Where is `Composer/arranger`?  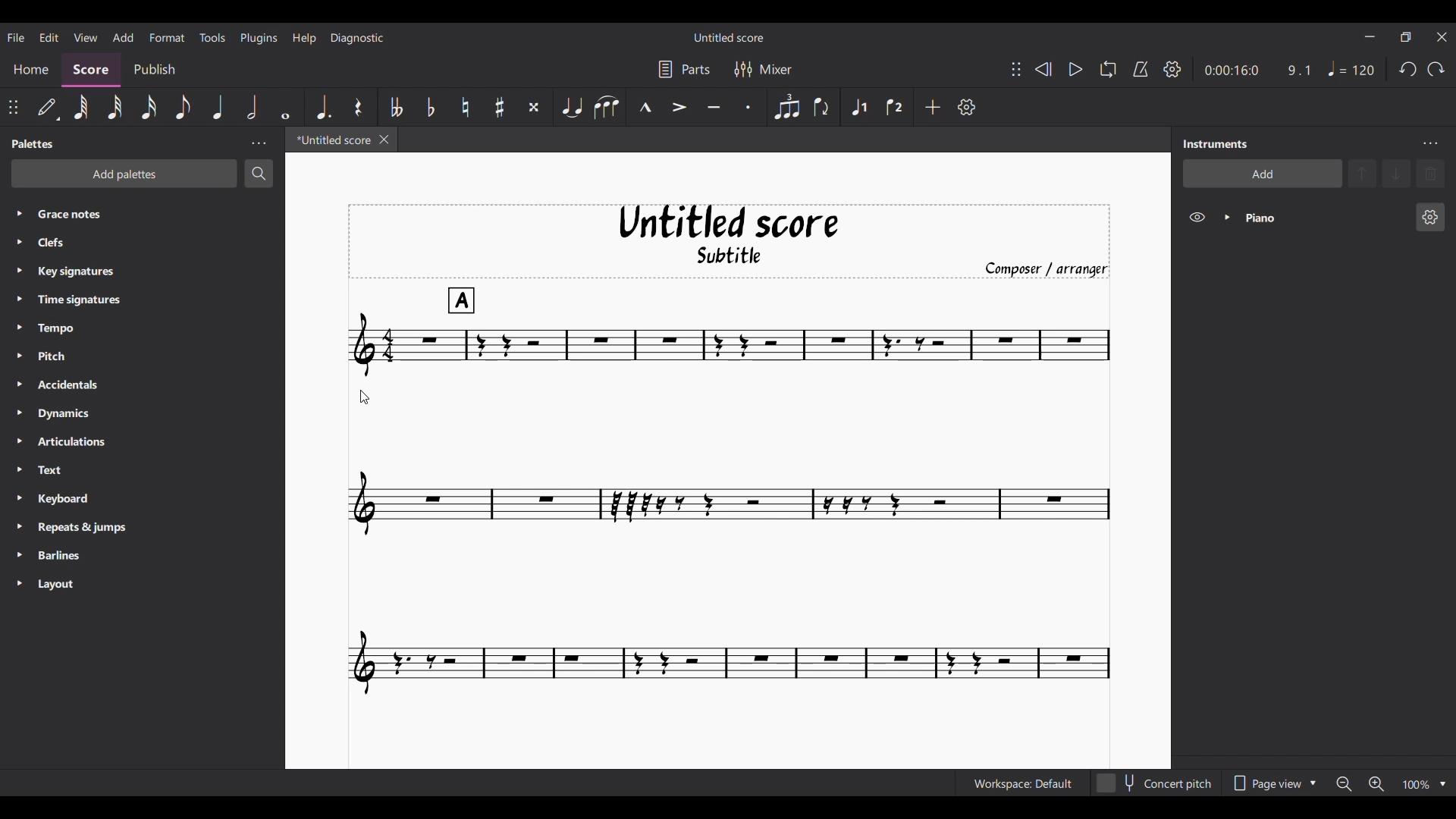 Composer/arranger is located at coordinates (1045, 268).